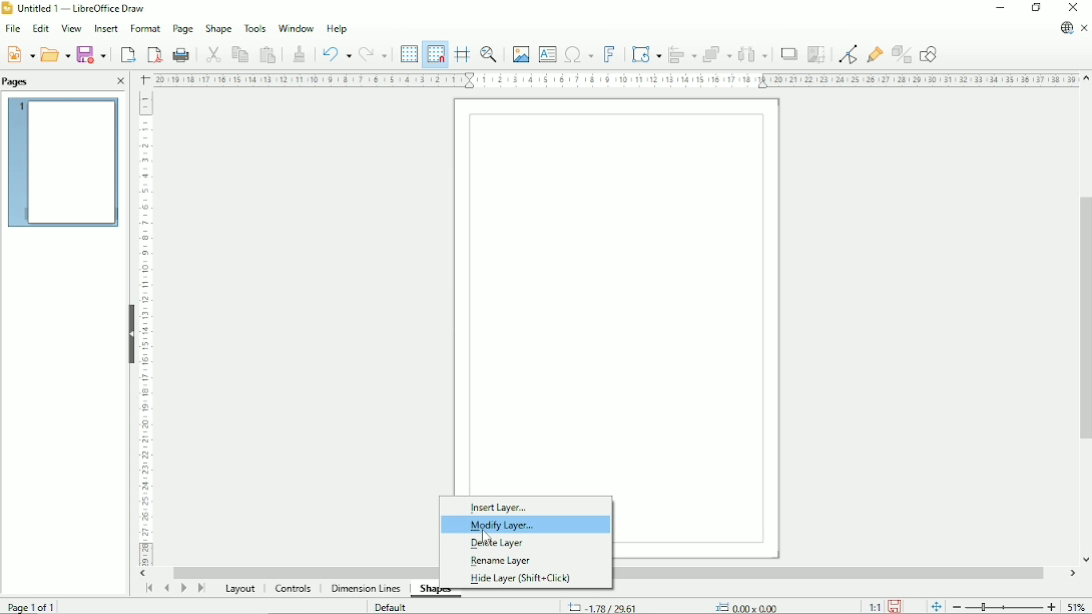 This screenshot has height=614, width=1092. What do you see at coordinates (408, 54) in the screenshot?
I see `Display grid` at bounding box center [408, 54].